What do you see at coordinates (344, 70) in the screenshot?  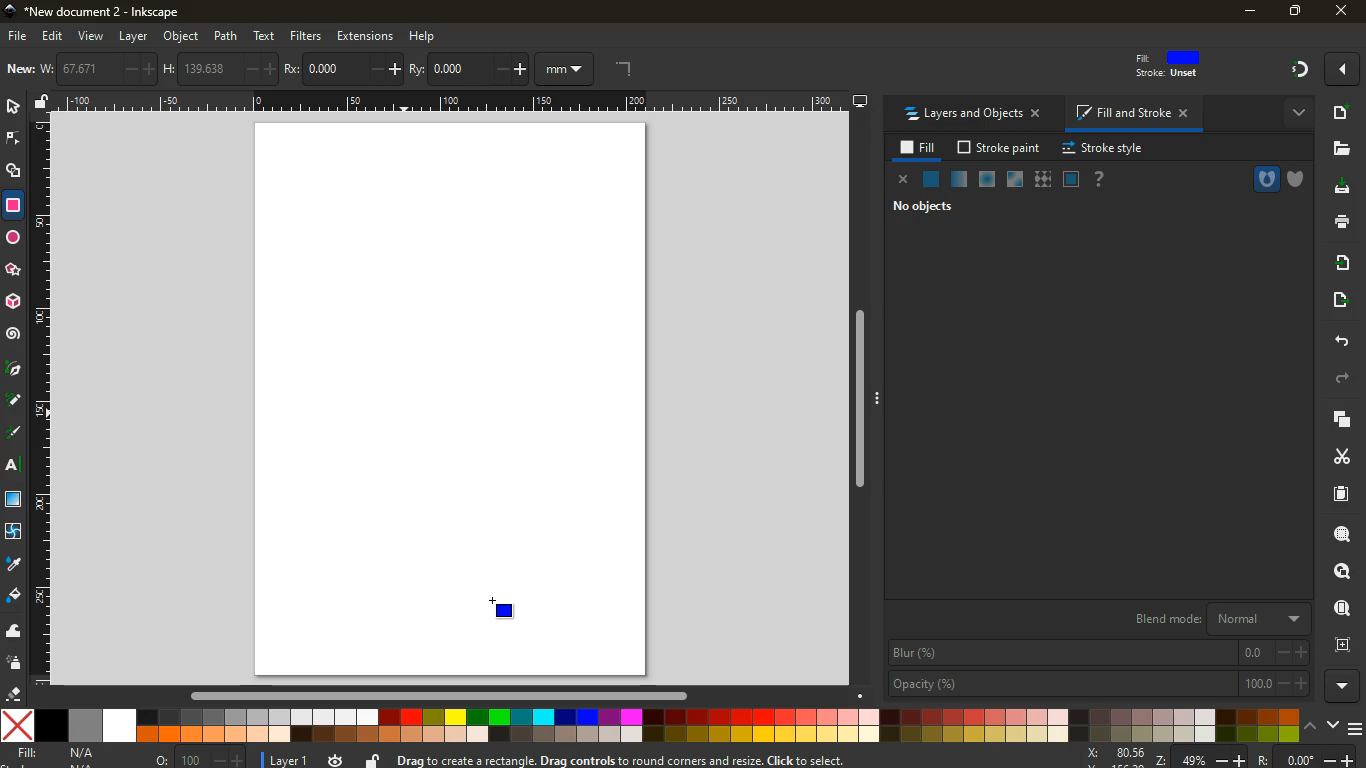 I see `po` at bounding box center [344, 70].